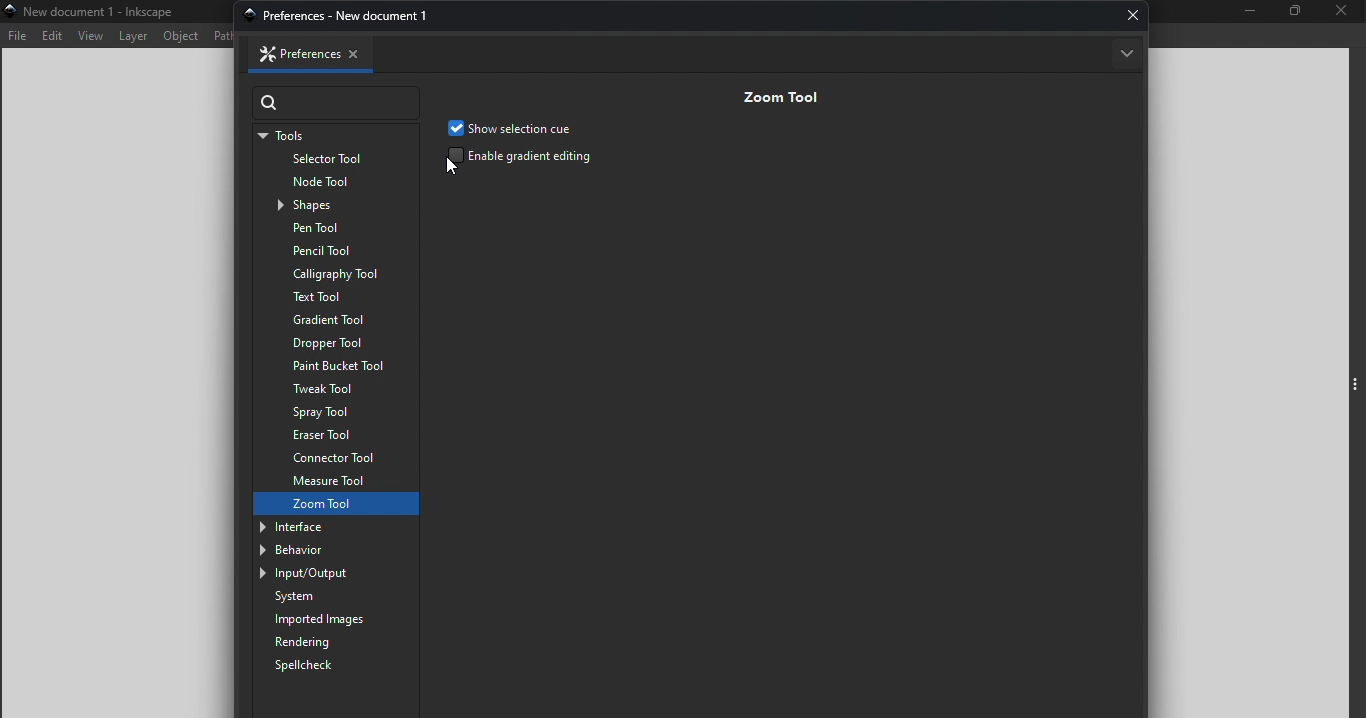 The width and height of the screenshot is (1366, 718). Describe the element at coordinates (249, 14) in the screenshot. I see `app icon` at that location.